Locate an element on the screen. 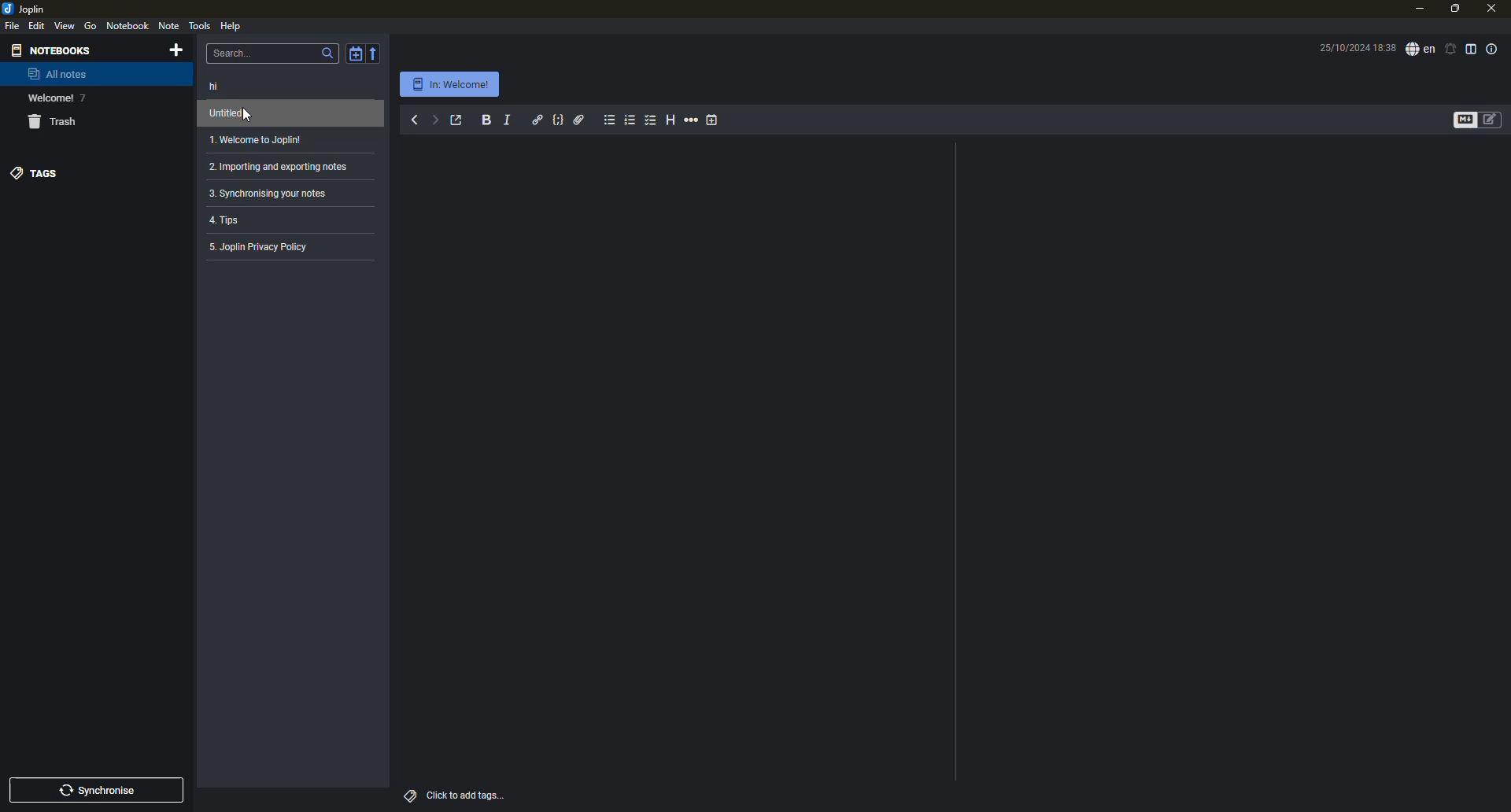 This screenshot has height=812, width=1511. toggle editors is located at coordinates (1459, 120).